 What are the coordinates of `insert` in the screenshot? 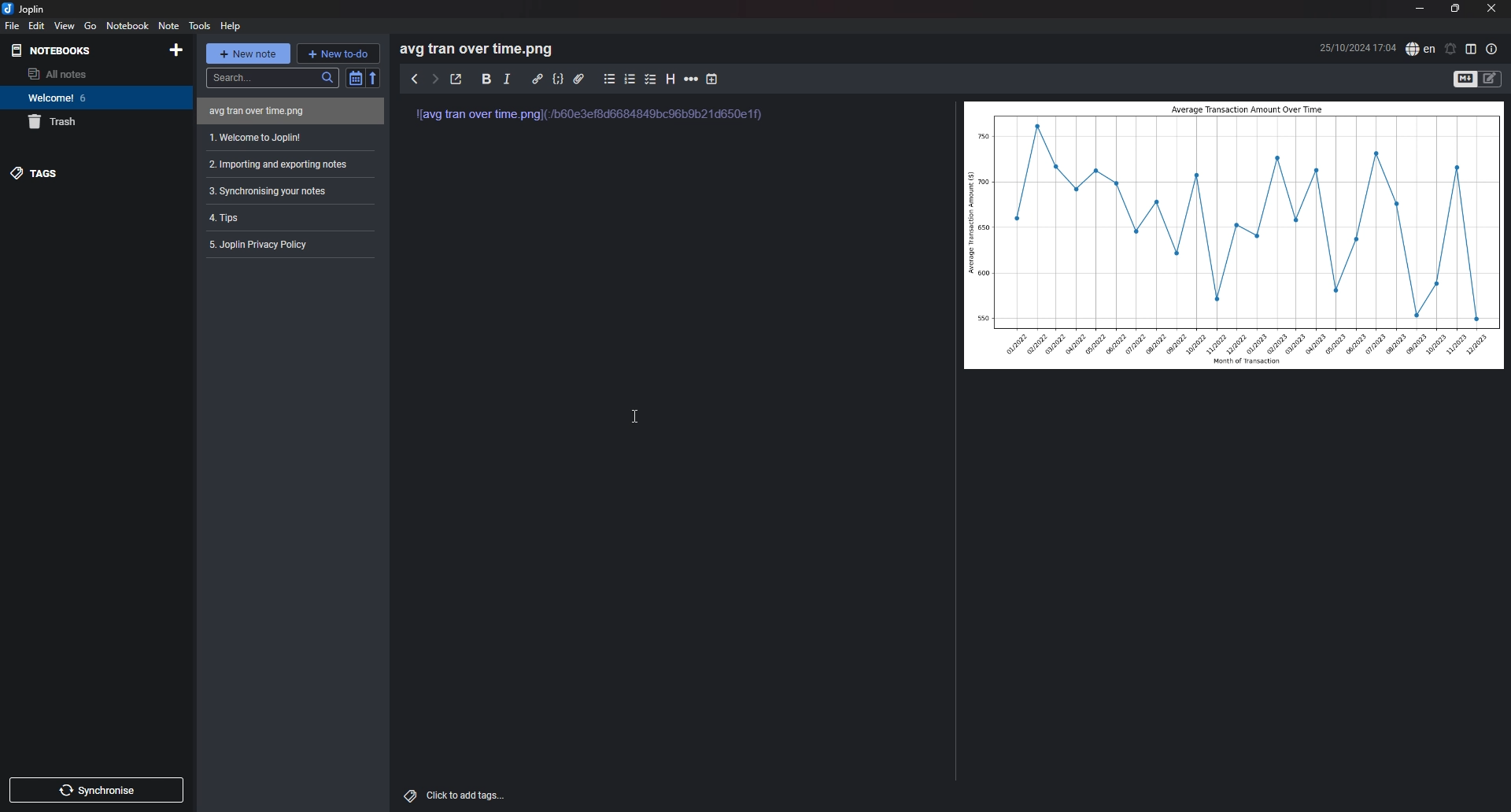 It's located at (508, 79).